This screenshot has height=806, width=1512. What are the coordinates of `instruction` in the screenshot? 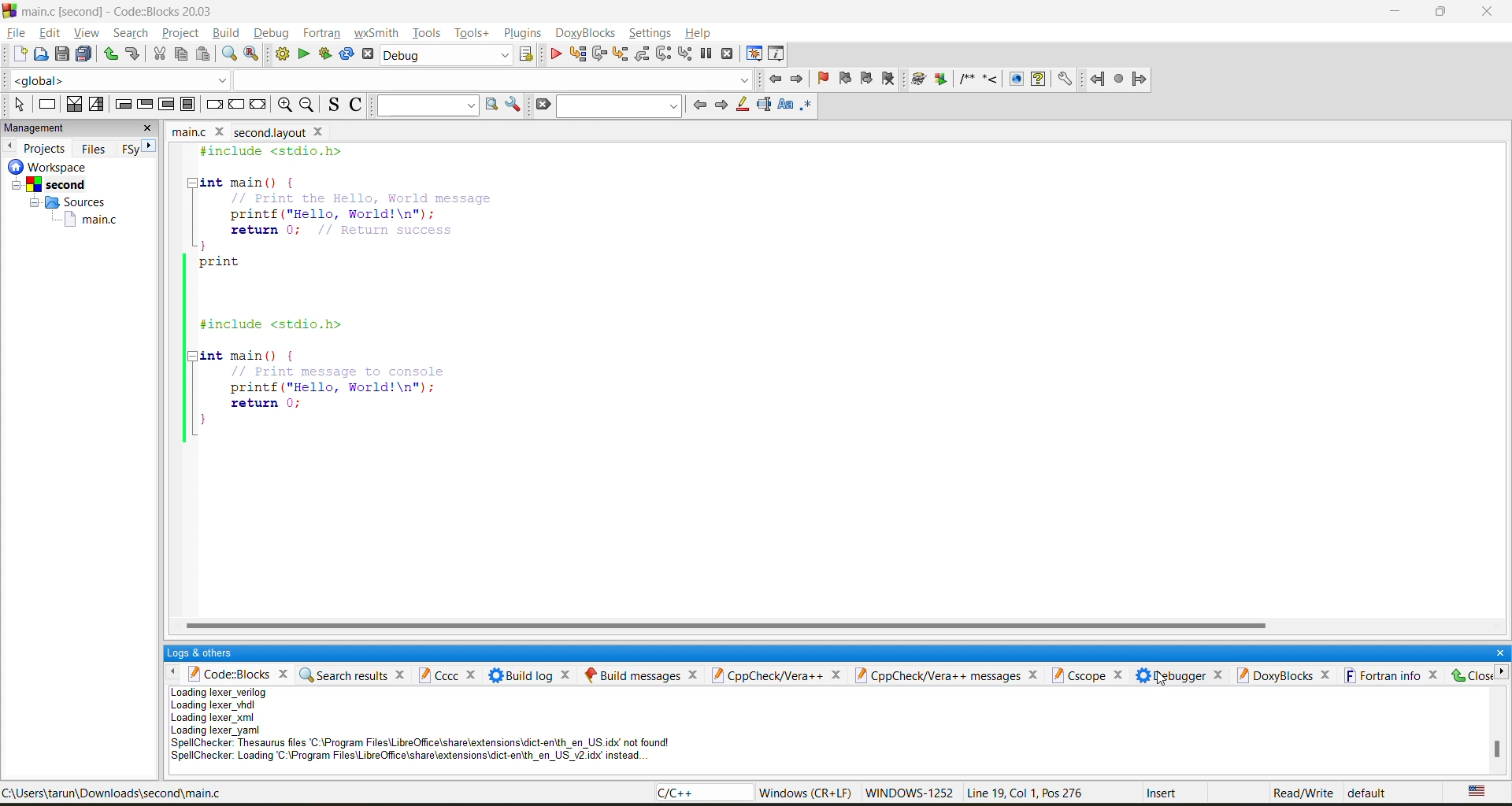 It's located at (46, 105).